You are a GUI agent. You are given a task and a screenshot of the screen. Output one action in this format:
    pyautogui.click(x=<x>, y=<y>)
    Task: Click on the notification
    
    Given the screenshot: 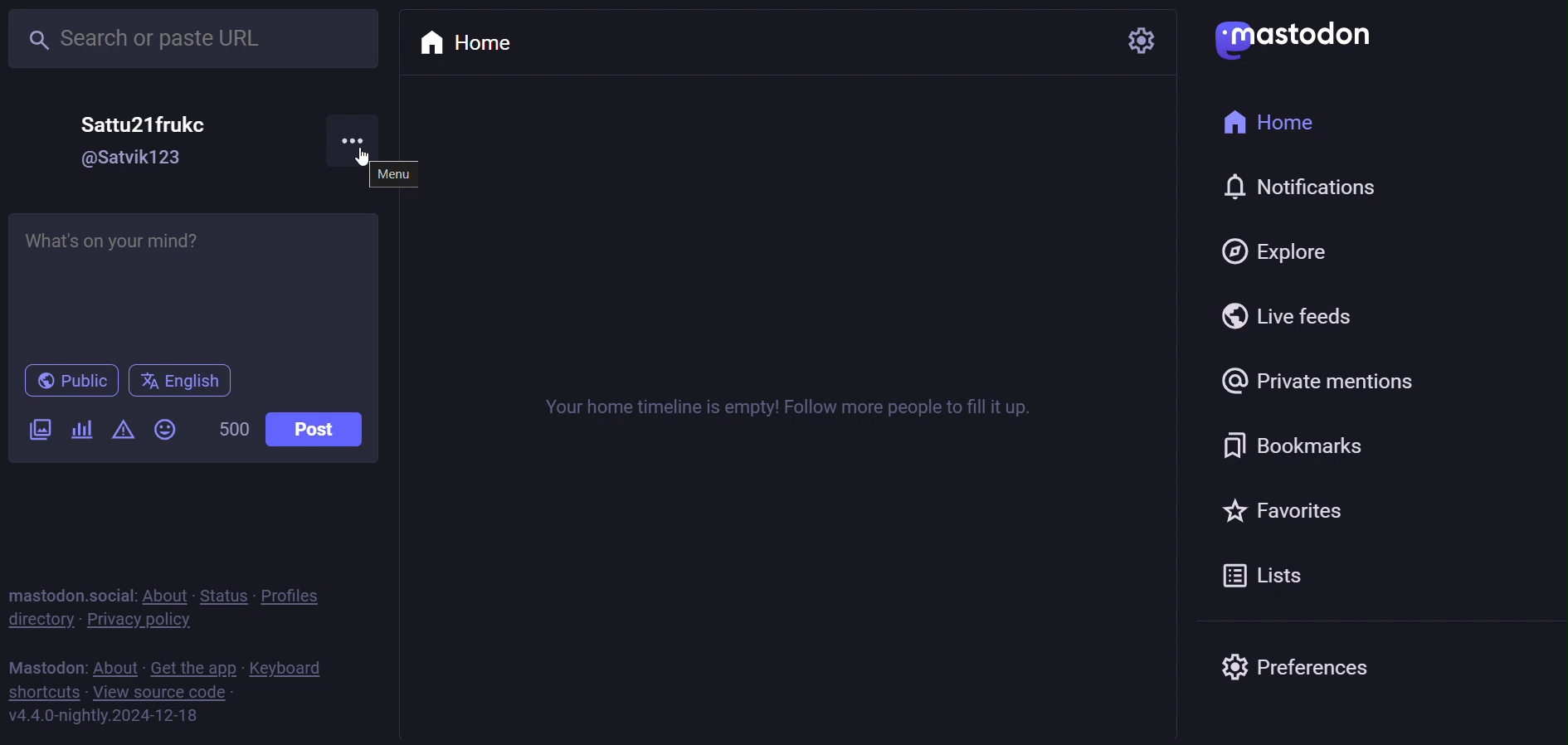 What is the action you would take?
    pyautogui.click(x=1285, y=190)
    